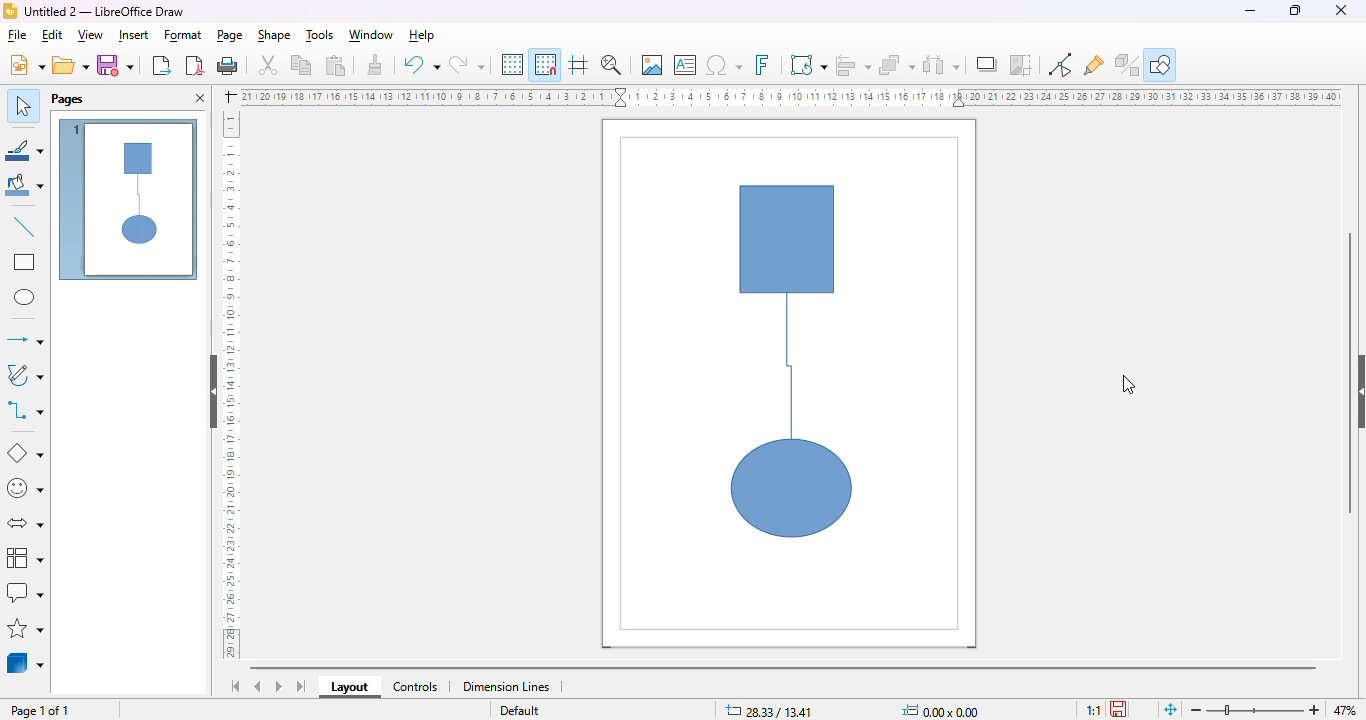 The width and height of the screenshot is (1366, 720). I want to click on stars and banners, so click(27, 628).